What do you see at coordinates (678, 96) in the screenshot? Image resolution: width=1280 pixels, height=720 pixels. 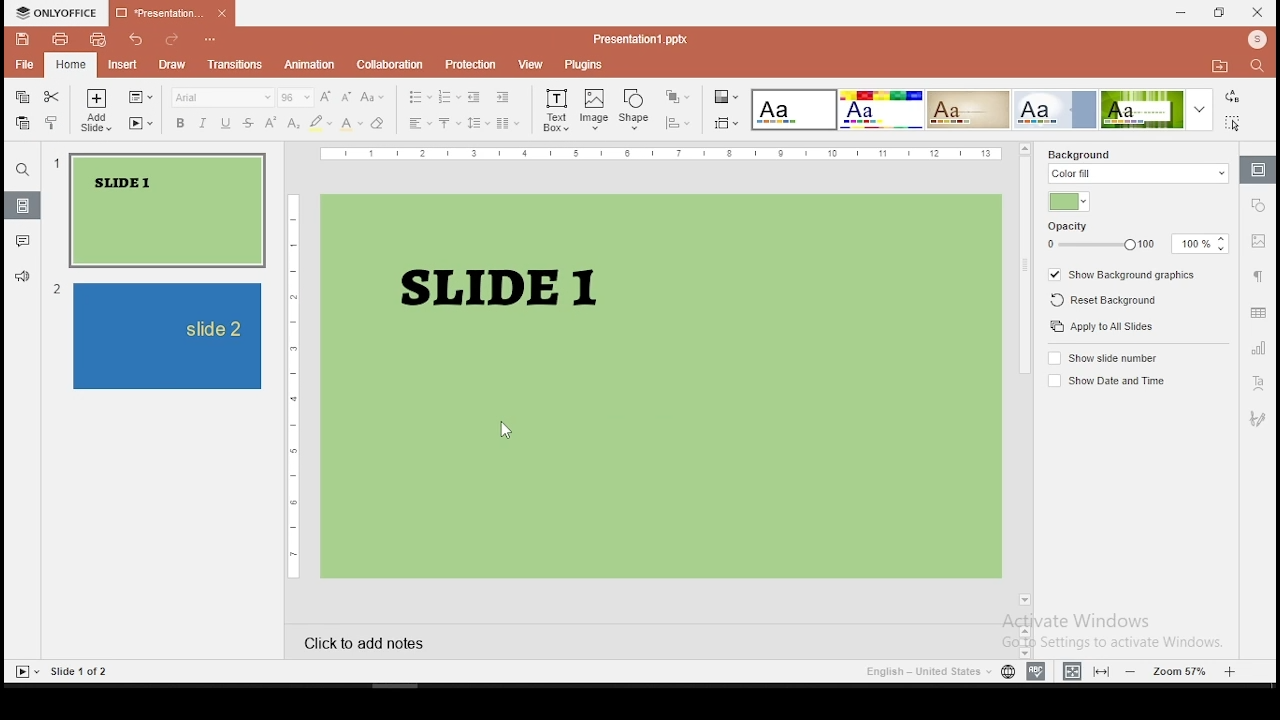 I see `arrange objects` at bounding box center [678, 96].